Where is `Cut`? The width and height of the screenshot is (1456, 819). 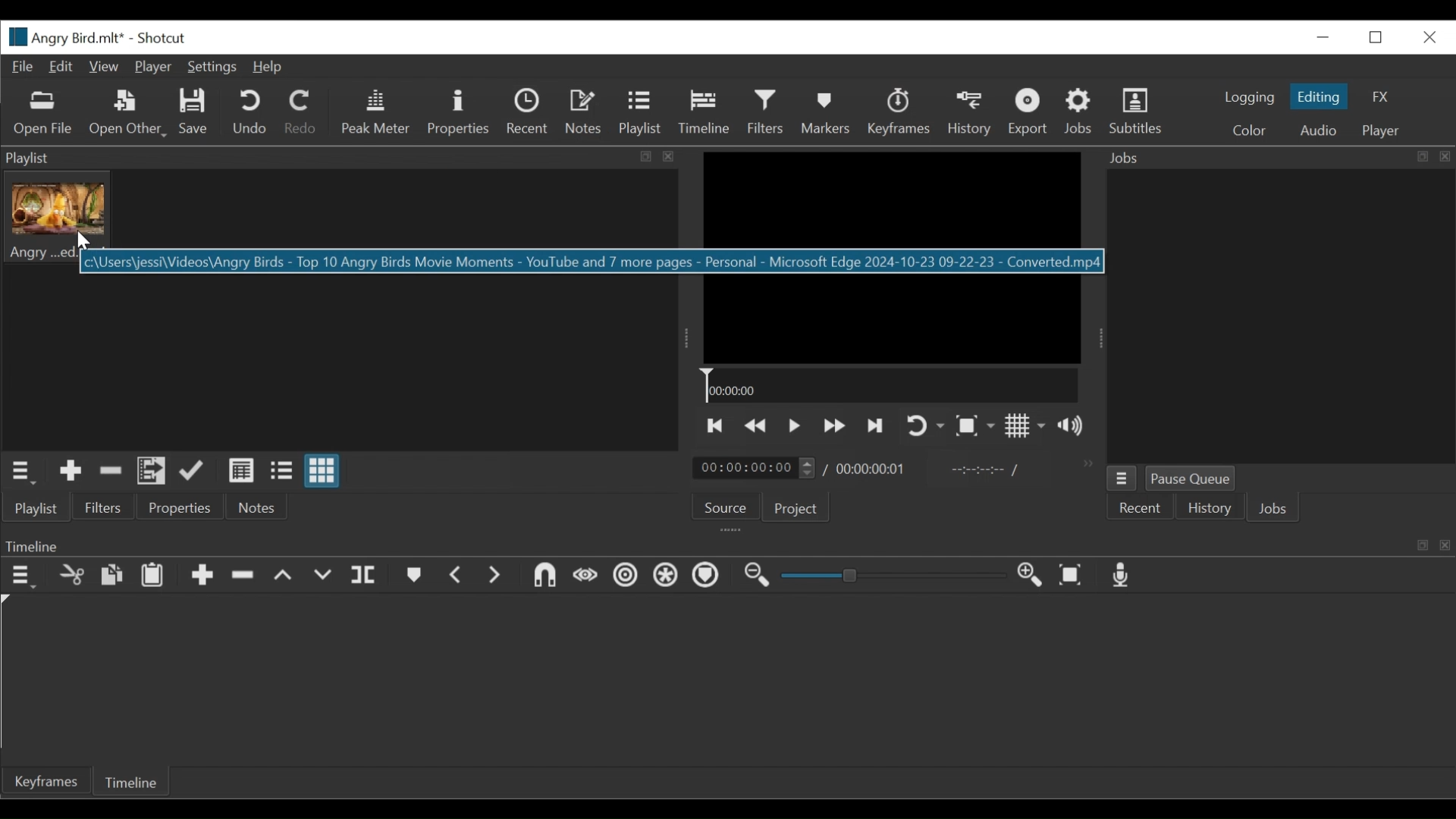 Cut is located at coordinates (70, 575).